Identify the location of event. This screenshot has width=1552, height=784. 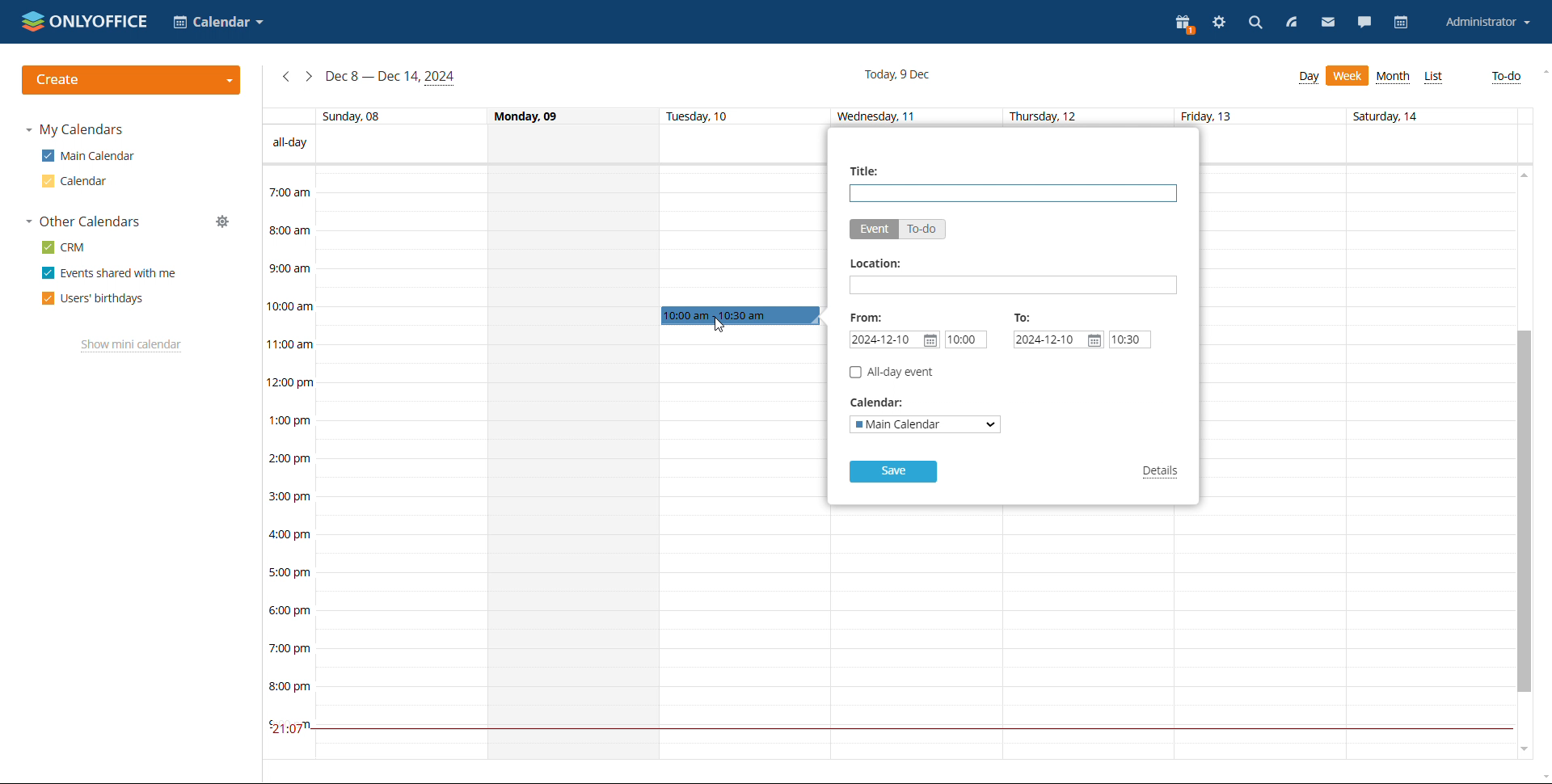
(874, 230).